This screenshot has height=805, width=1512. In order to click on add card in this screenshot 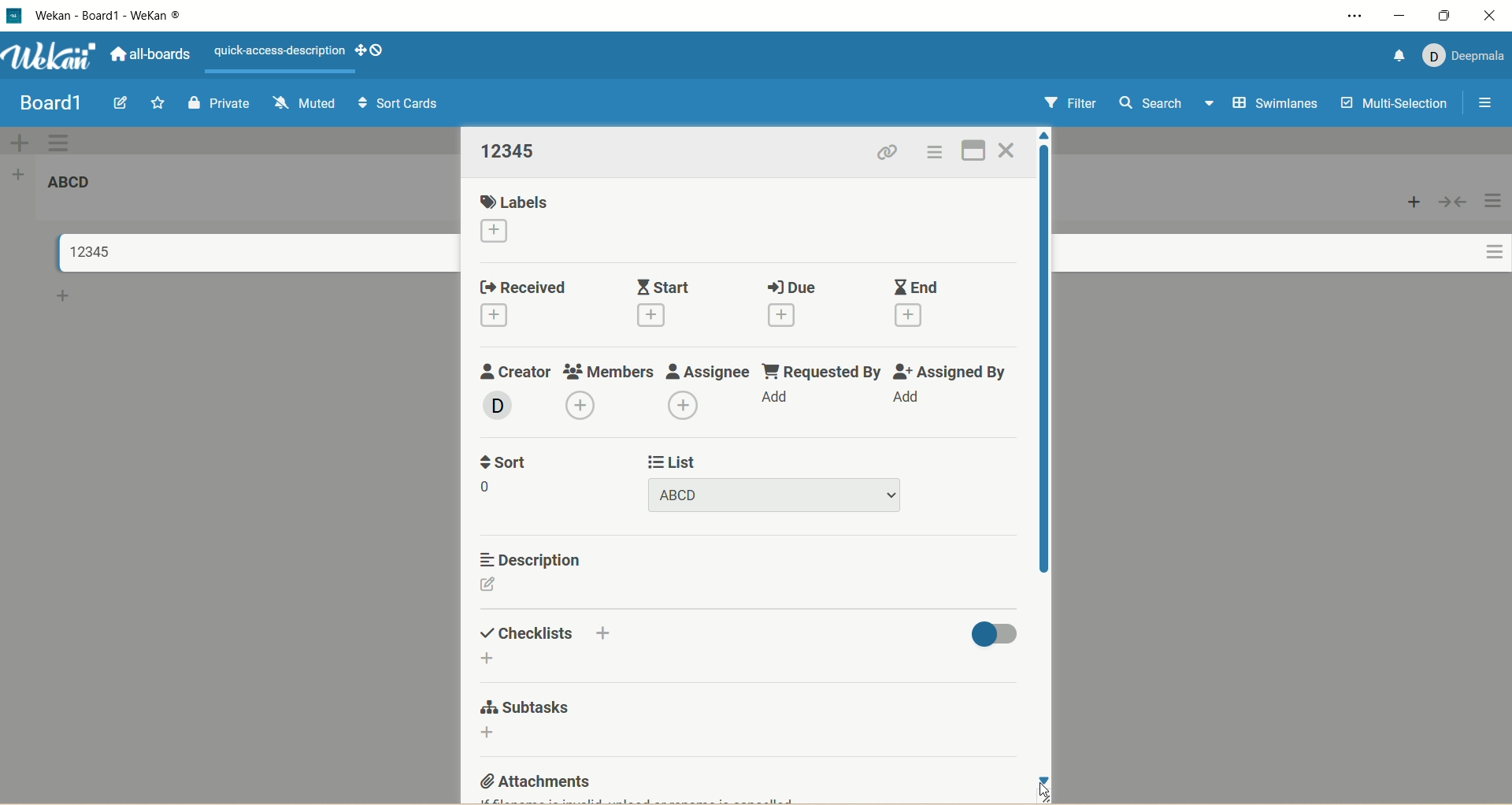, I will do `click(1414, 202)`.